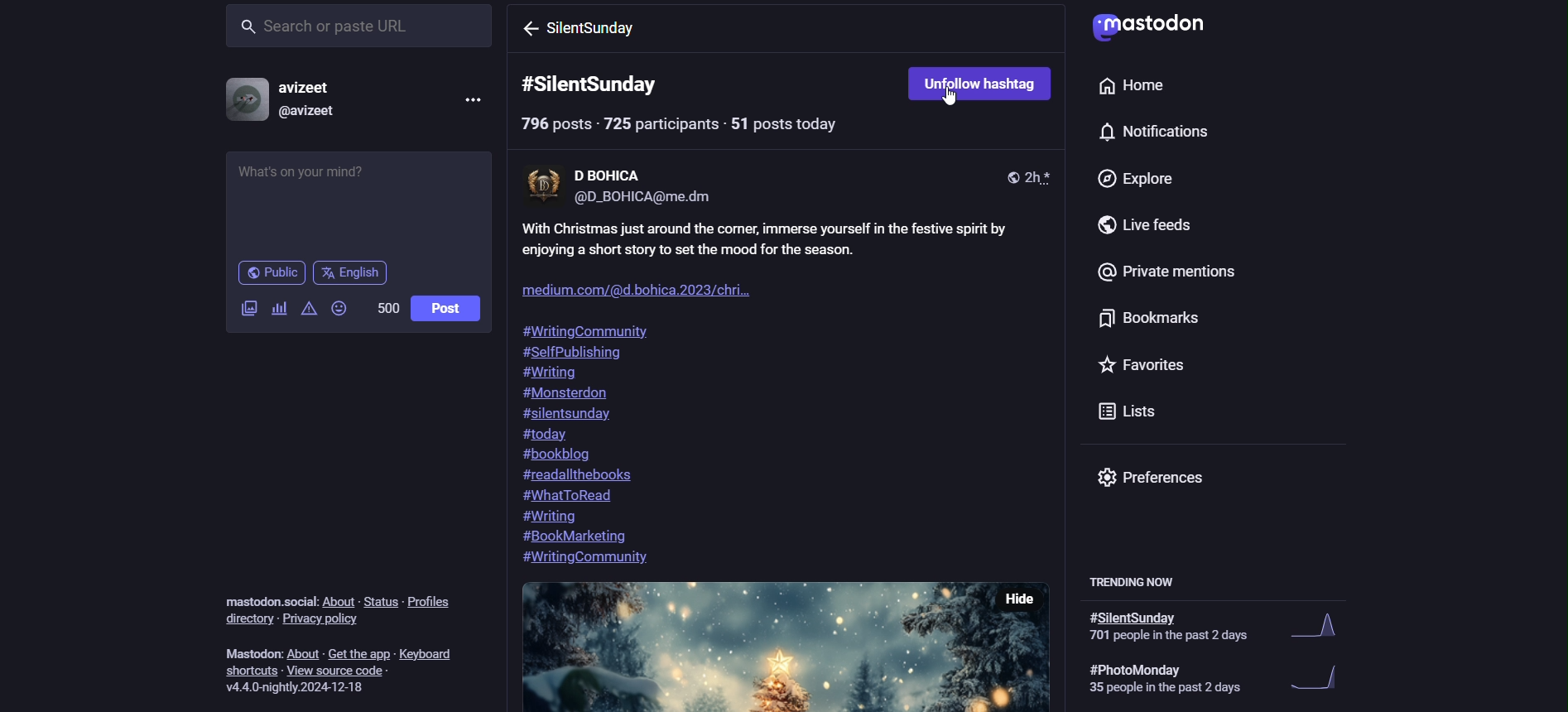 The height and width of the screenshot is (712, 1568). I want to click on profiles, so click(436, 604).